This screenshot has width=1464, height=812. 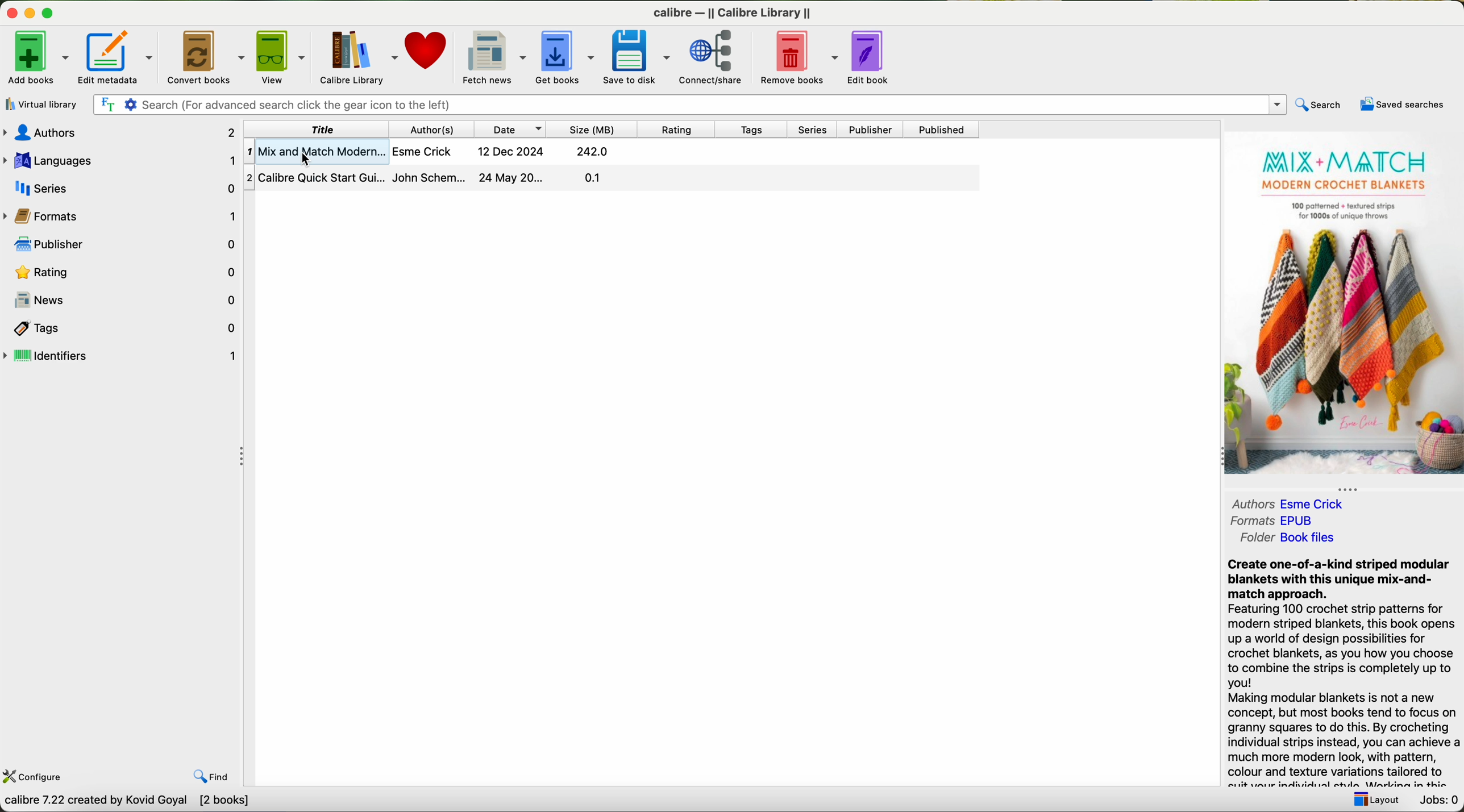 What do you see at coordinates (120, 134) in the screenshot?
I see `authors` at bounding box center [120, 134].